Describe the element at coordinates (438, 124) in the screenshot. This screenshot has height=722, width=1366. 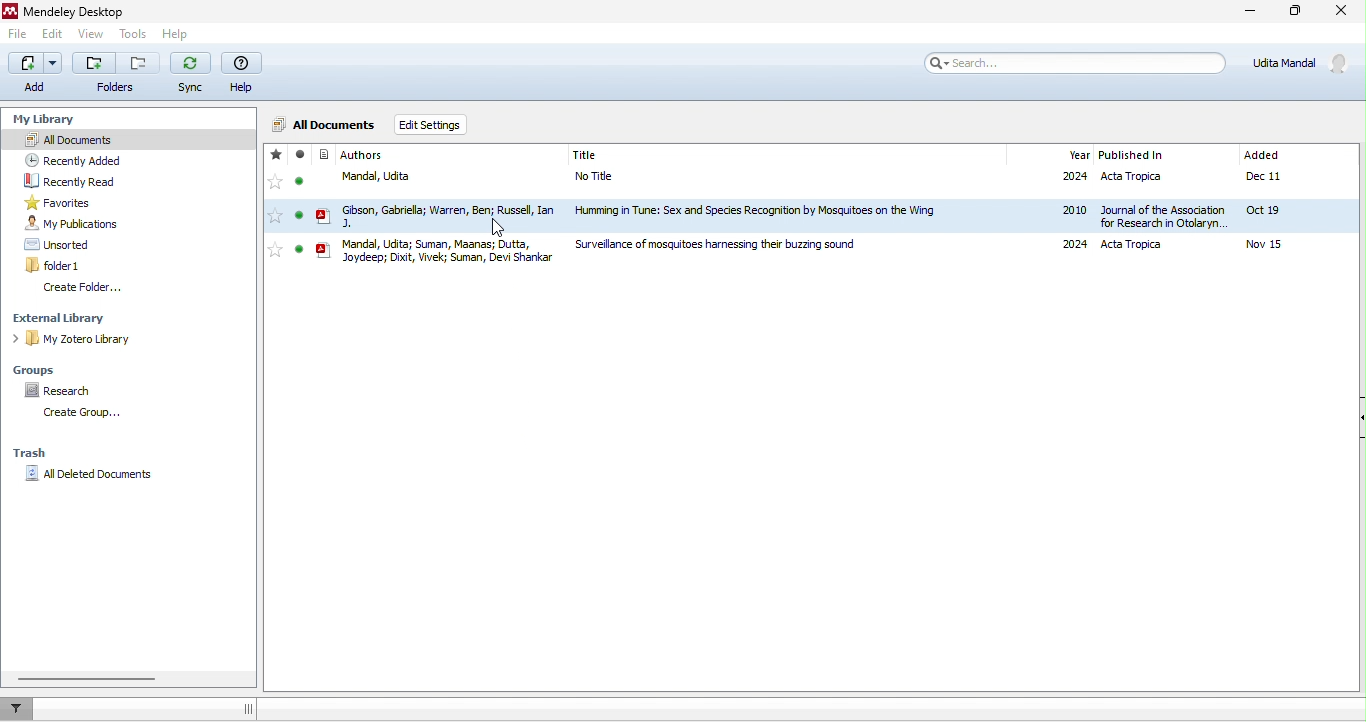
I see `edit settings` at that location.